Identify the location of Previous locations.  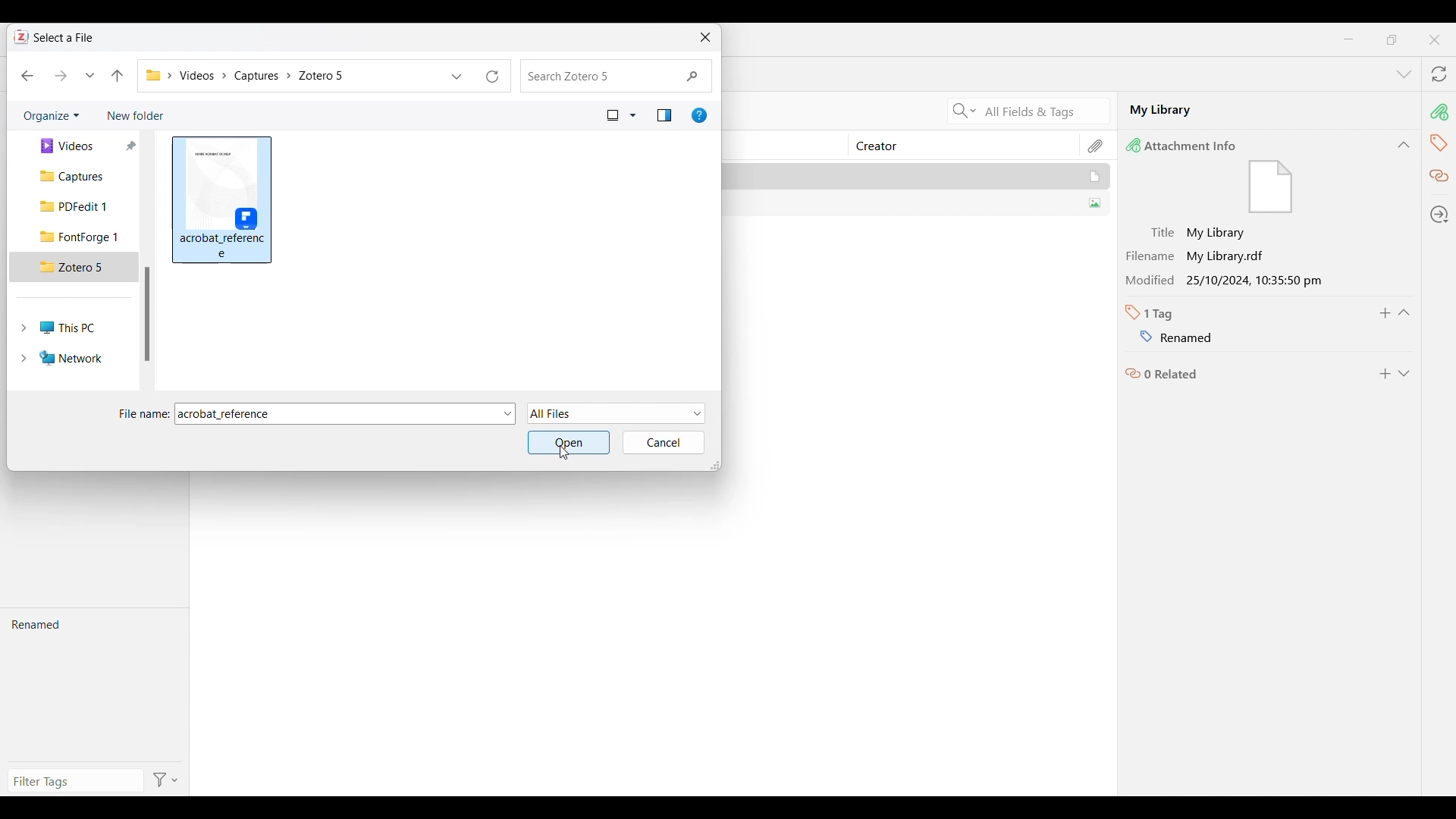
(457, 77).